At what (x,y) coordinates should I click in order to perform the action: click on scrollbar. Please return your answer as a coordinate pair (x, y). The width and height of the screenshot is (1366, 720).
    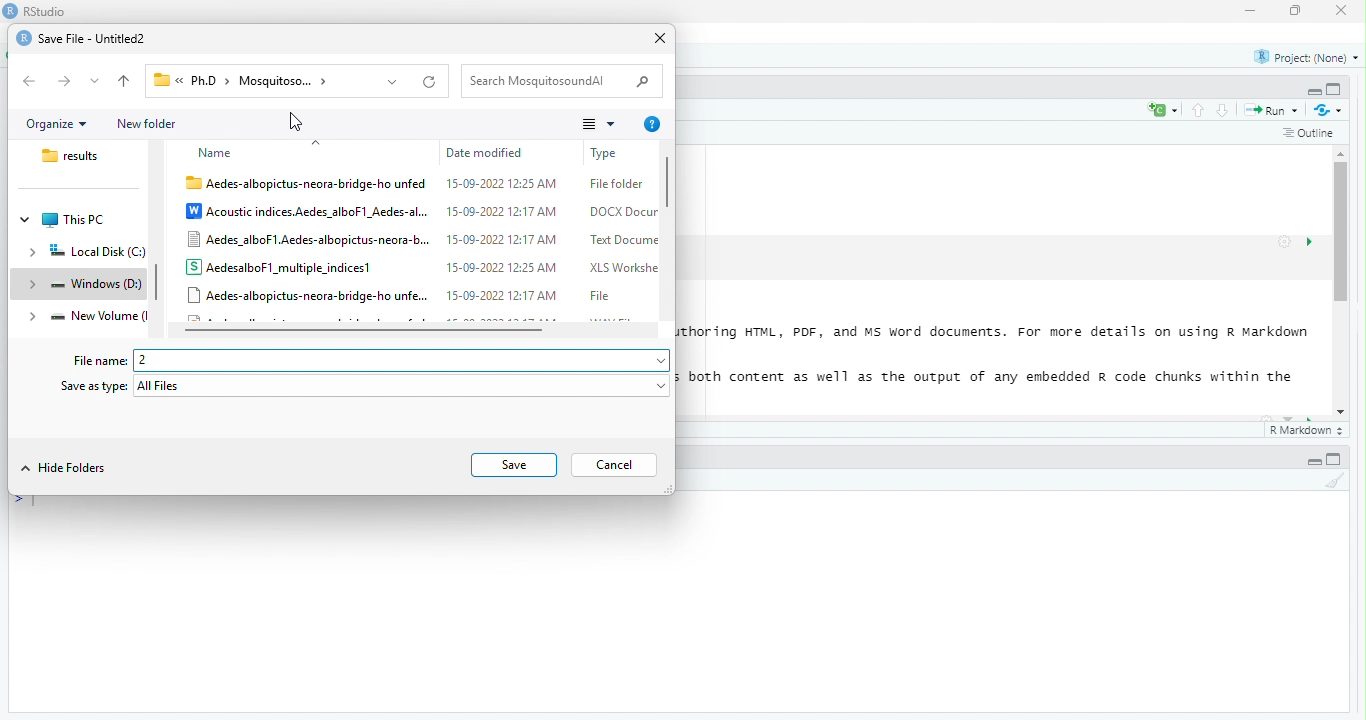
    Looking at the image, I should click on (667, 231).